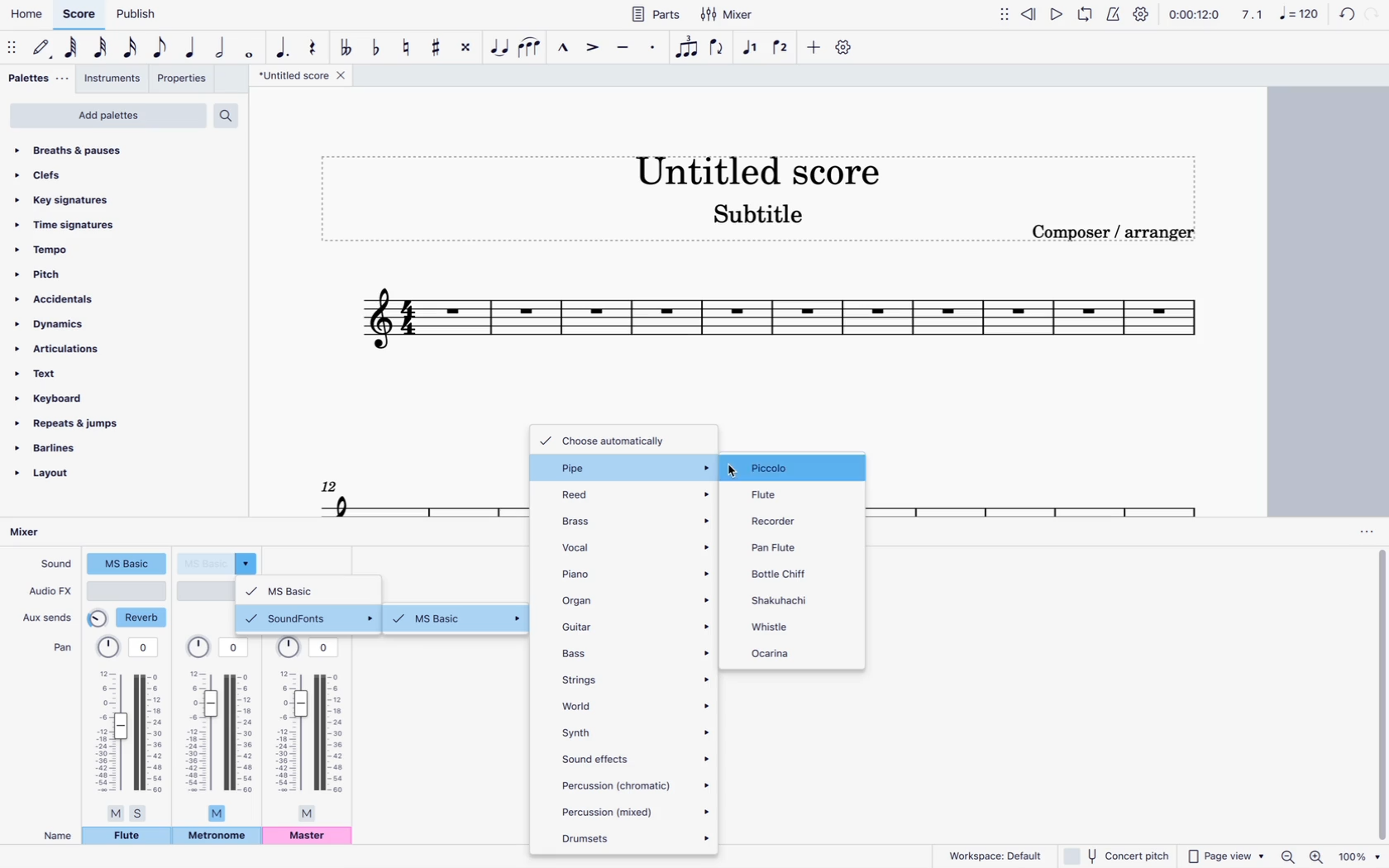 This screenshot has height=868, width=1389. Describe the element at coordinates (312, 43) in the screenshot. I see `rest` at that location.